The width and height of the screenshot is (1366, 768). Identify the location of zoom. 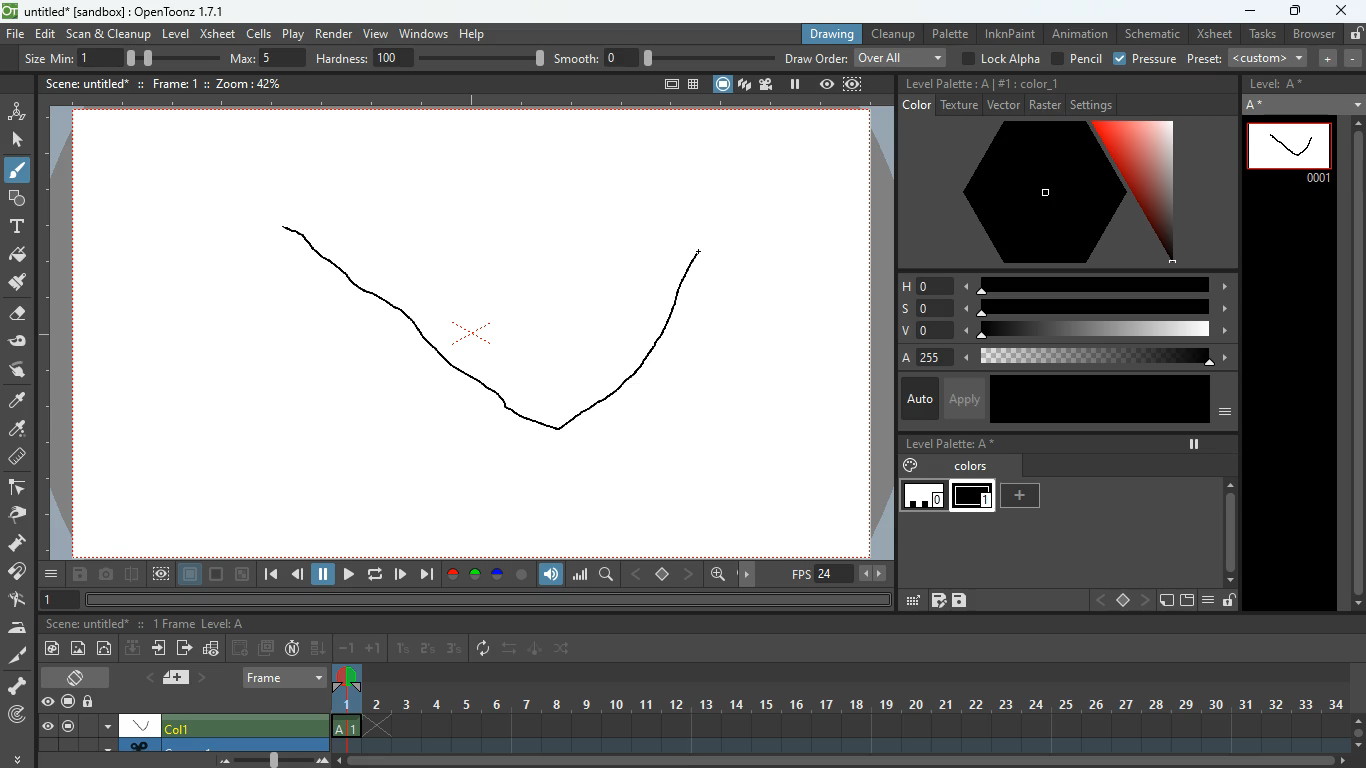
(718, 574).